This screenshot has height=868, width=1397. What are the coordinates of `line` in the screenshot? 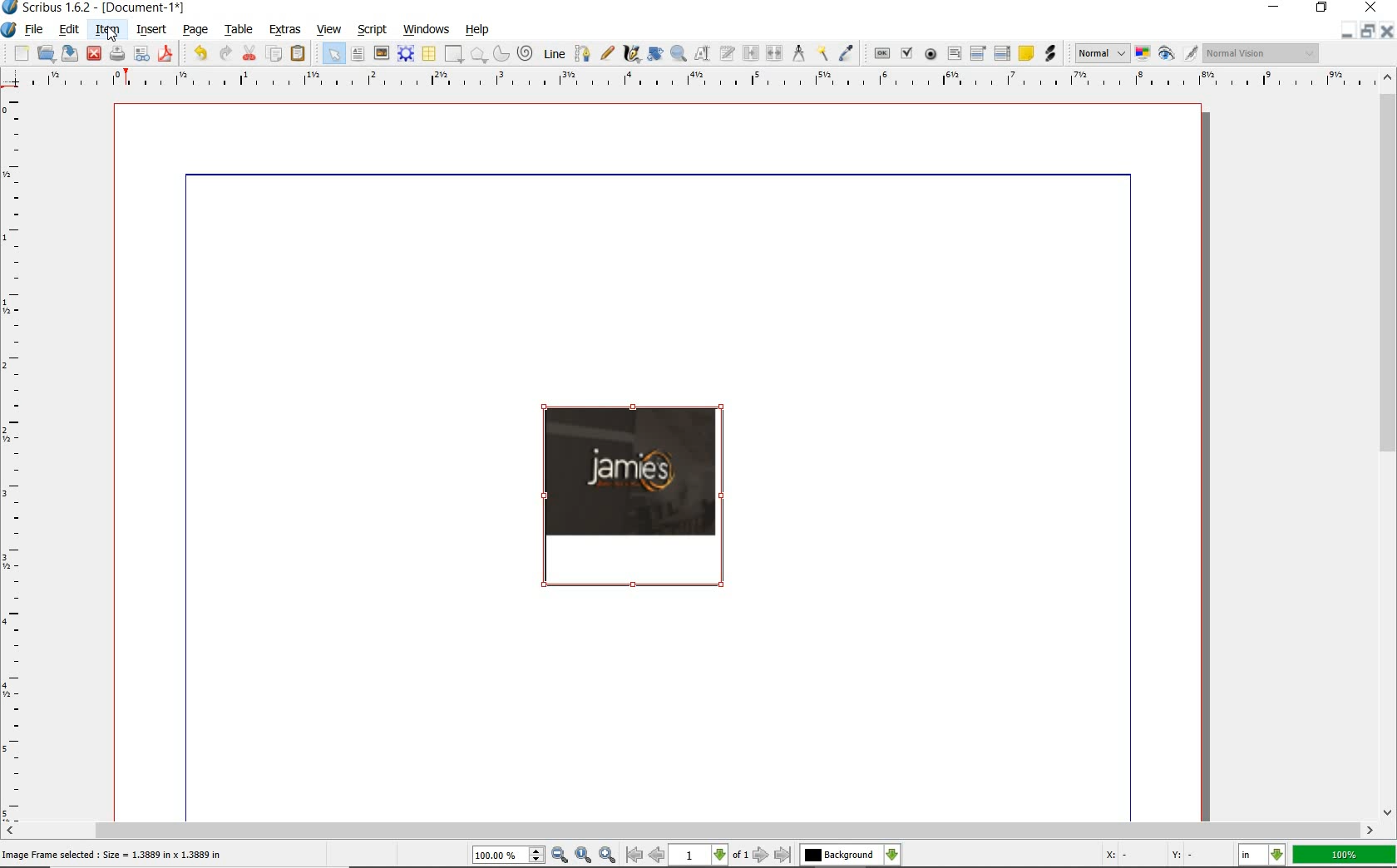 It's located at (555, 52).